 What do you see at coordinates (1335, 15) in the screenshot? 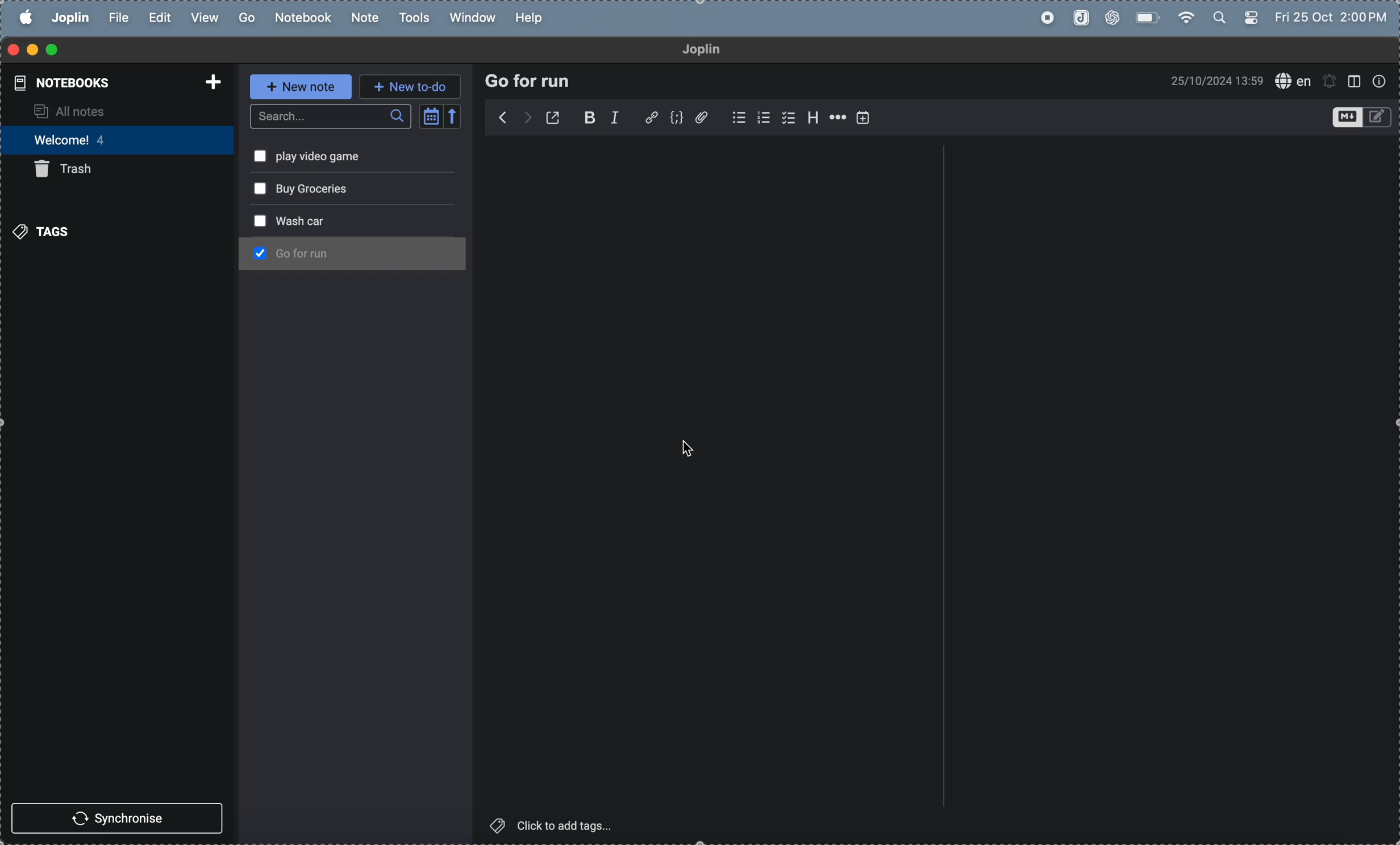
I see `time and date` at bounding box center [1335, 15].